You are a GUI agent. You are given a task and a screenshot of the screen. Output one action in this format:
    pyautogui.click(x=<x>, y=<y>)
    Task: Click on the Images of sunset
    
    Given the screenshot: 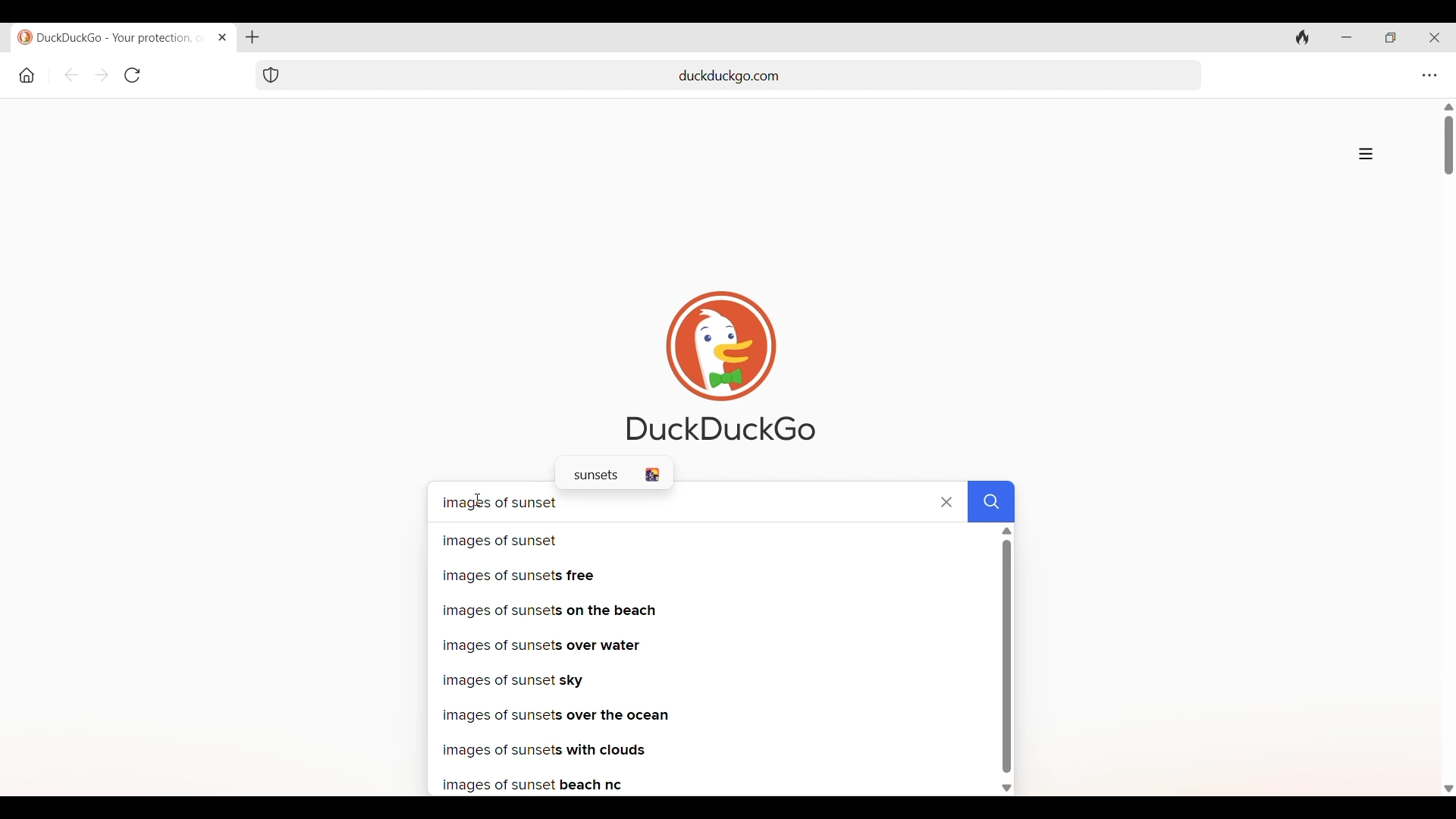 What is the action you would take?
    pyautogui.click(x=672, y=501)
    